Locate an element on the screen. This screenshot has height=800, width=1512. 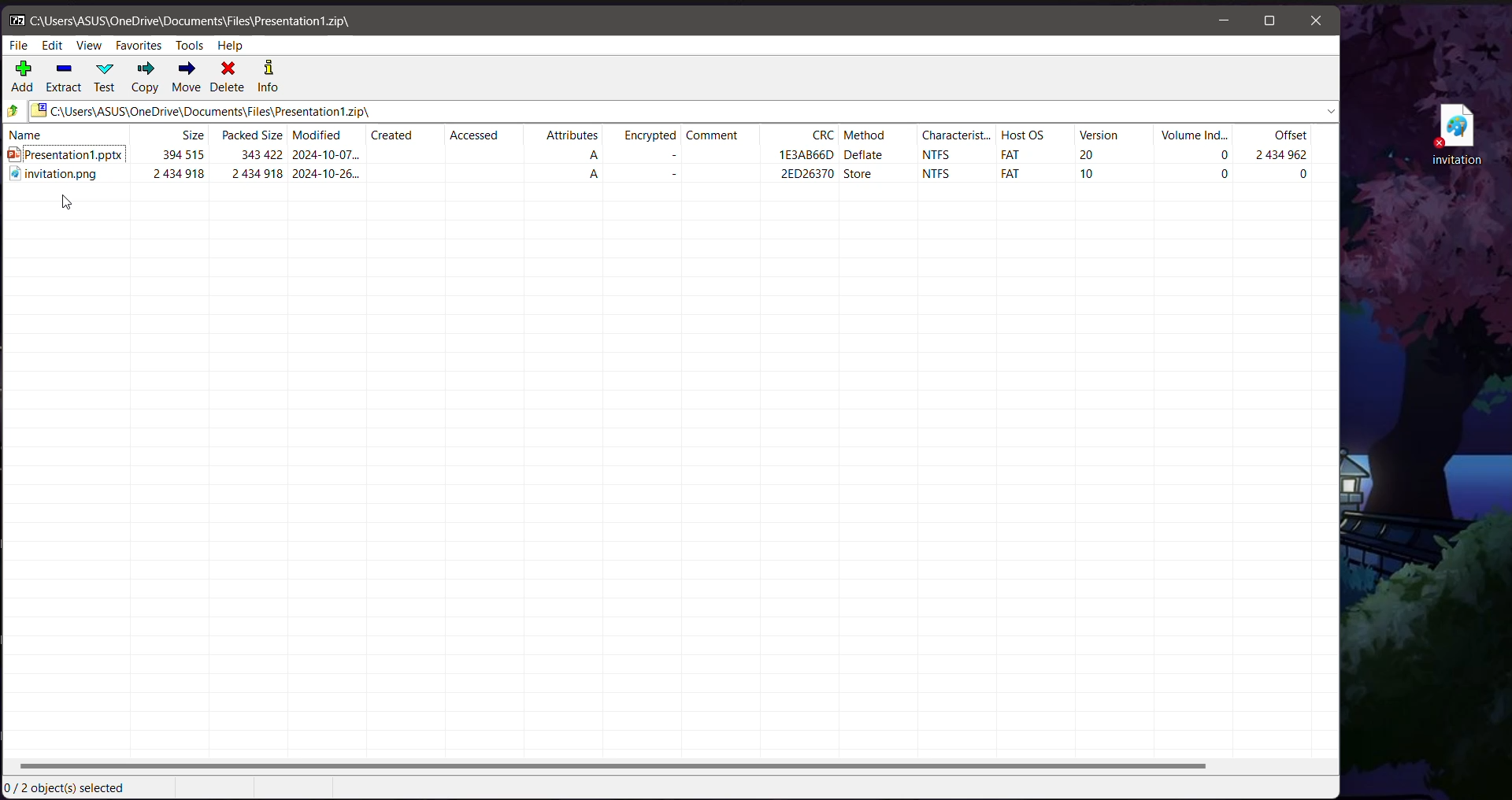
Current Folder Path is located at coordinates (686, 111).